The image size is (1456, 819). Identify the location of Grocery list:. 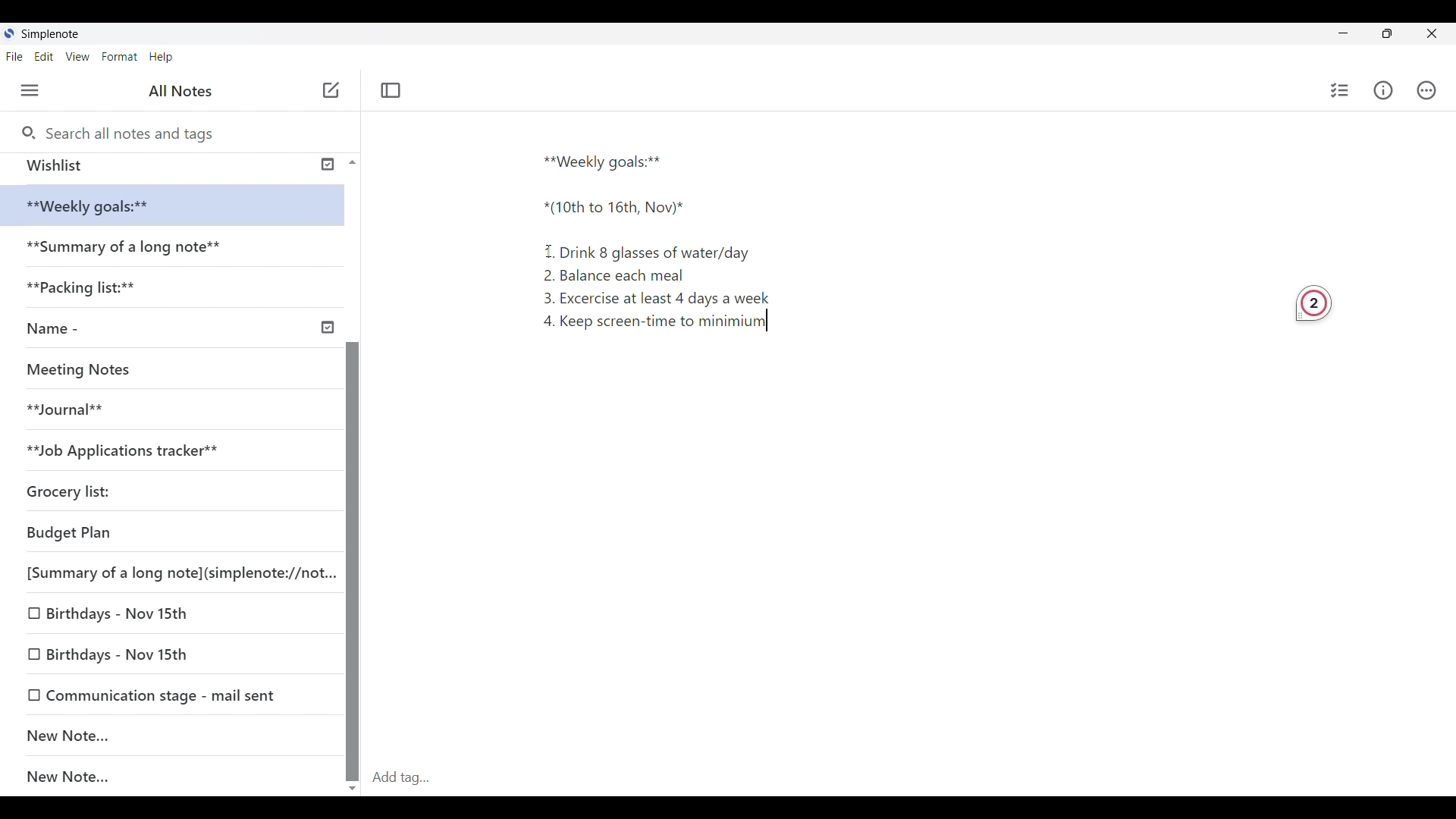
(92, 487).